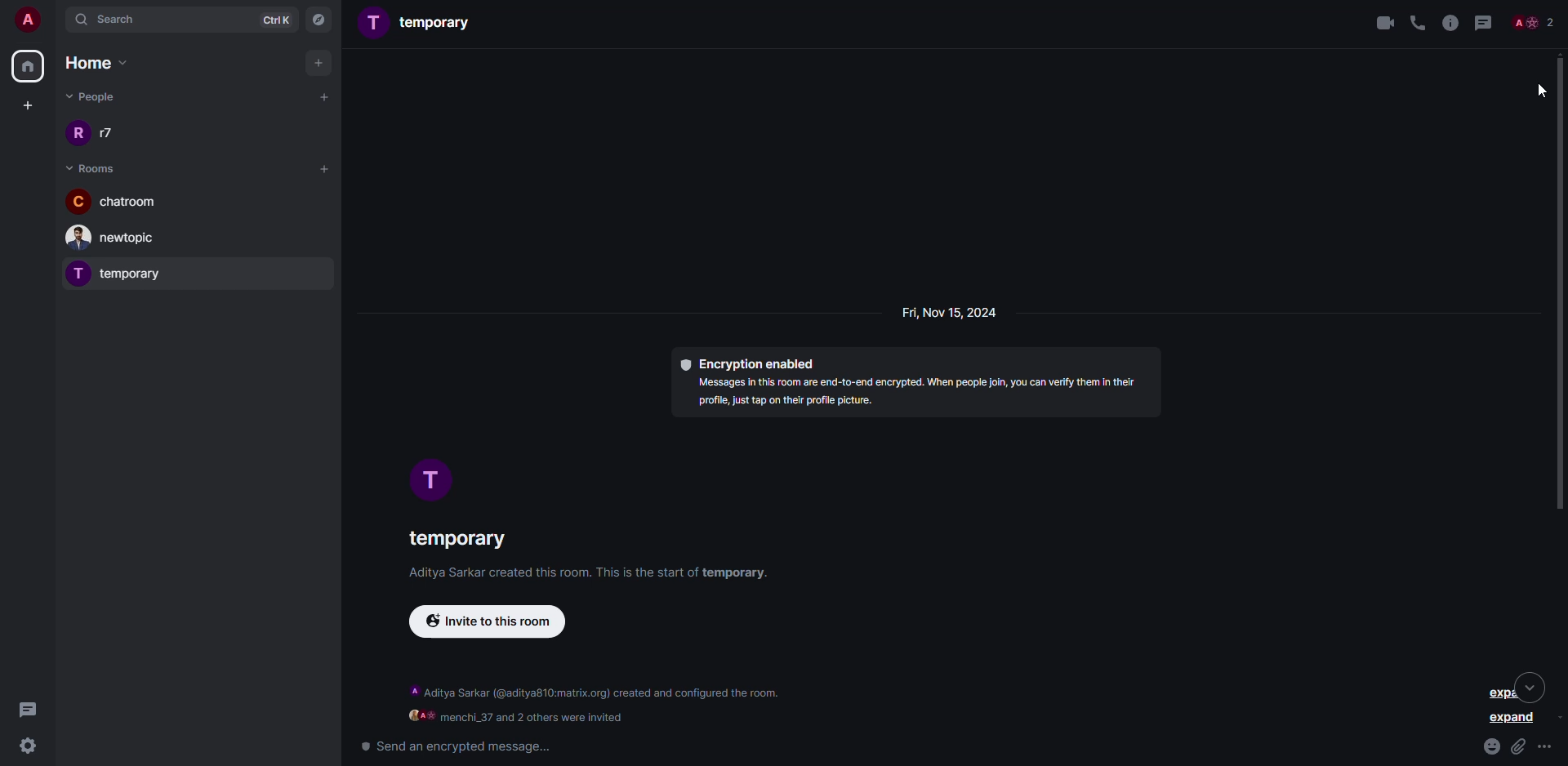 This screenshot has height=766, width=1568. What do you see at coordinates (91, 167) in the screenshot?
I see `room` at bounding box center [91, 167].